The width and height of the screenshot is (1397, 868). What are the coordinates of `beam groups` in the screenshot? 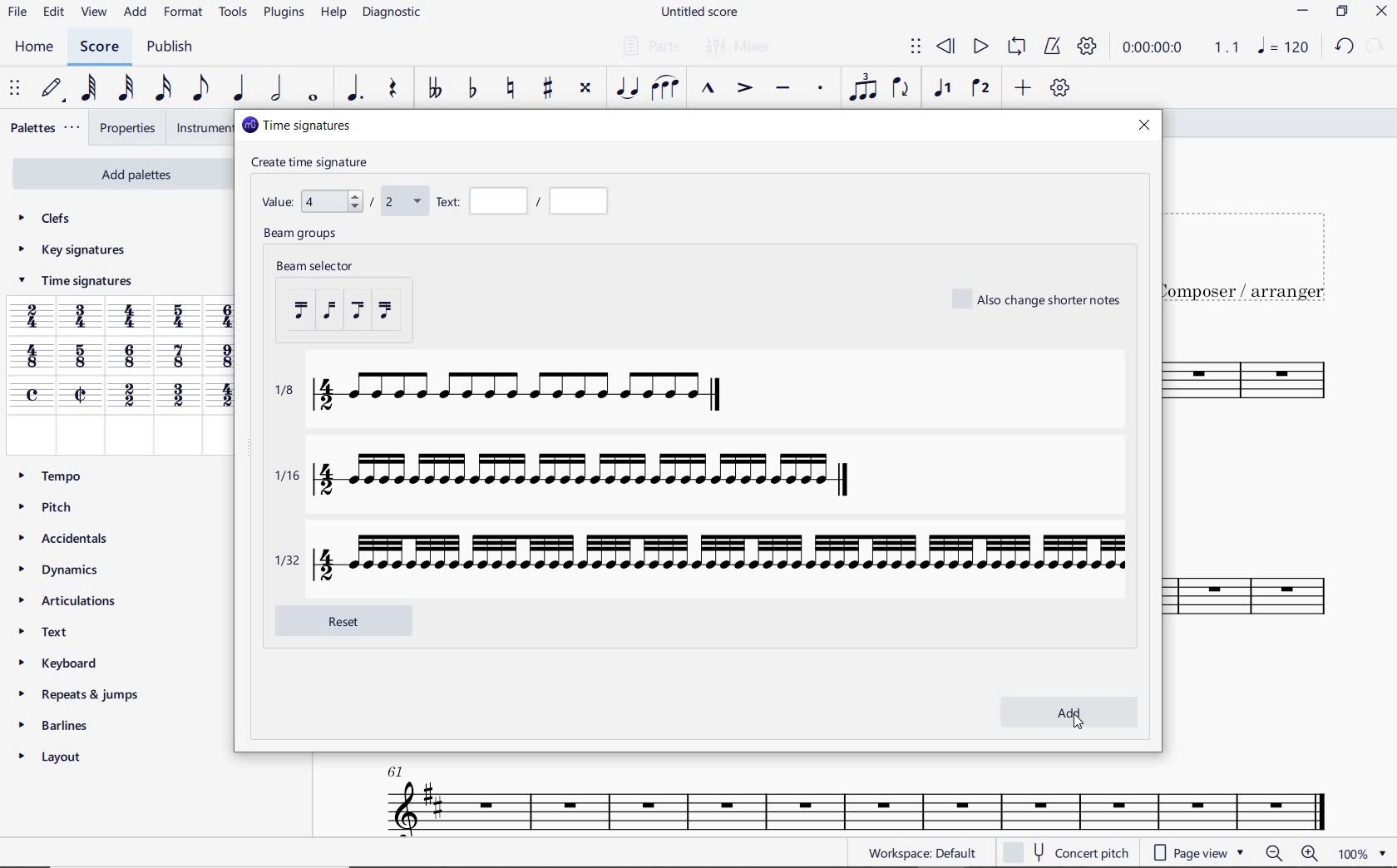 It's located at (304, 235).